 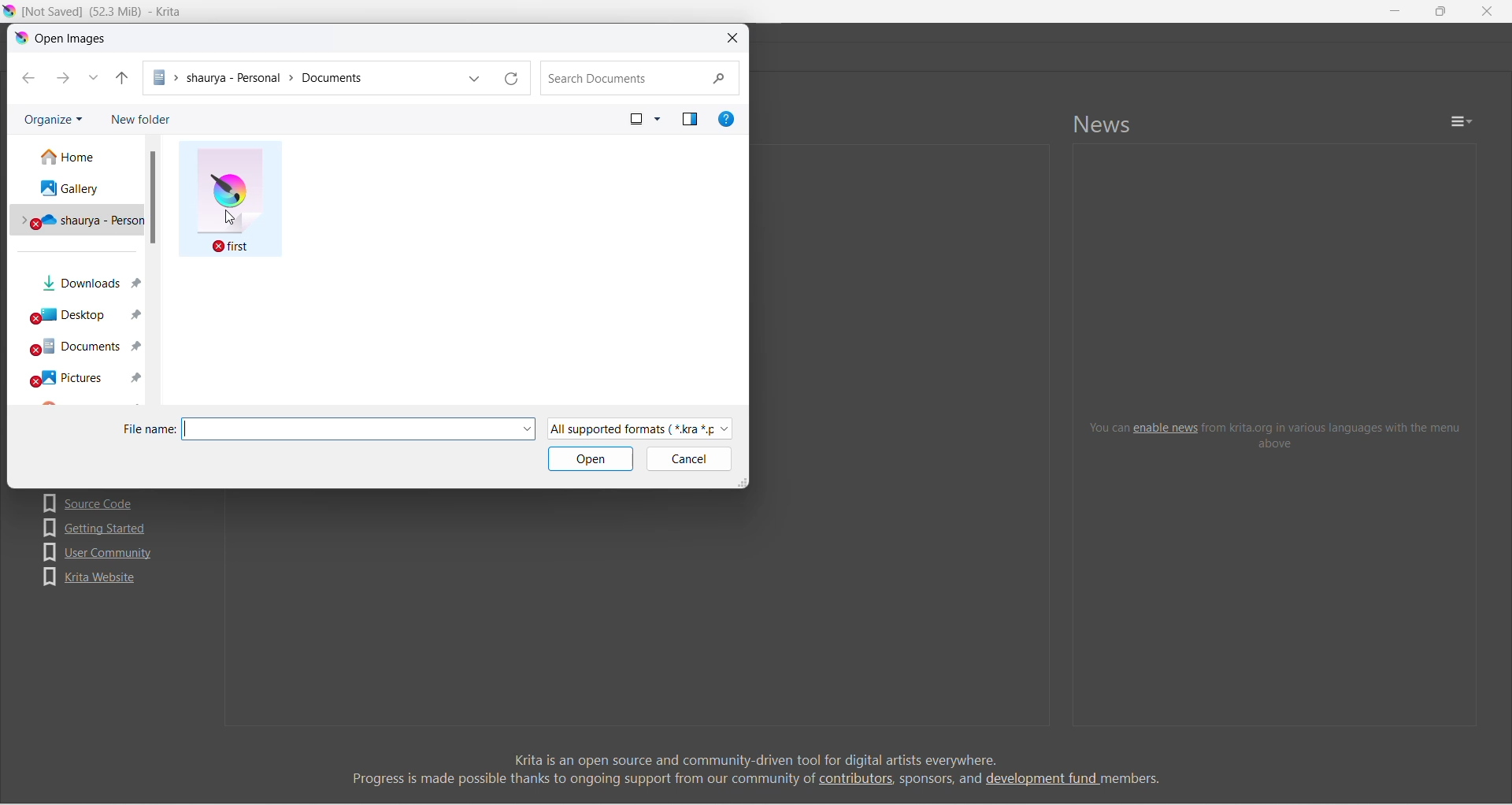 I want to click on Cursor, so click(x=229, y=217).